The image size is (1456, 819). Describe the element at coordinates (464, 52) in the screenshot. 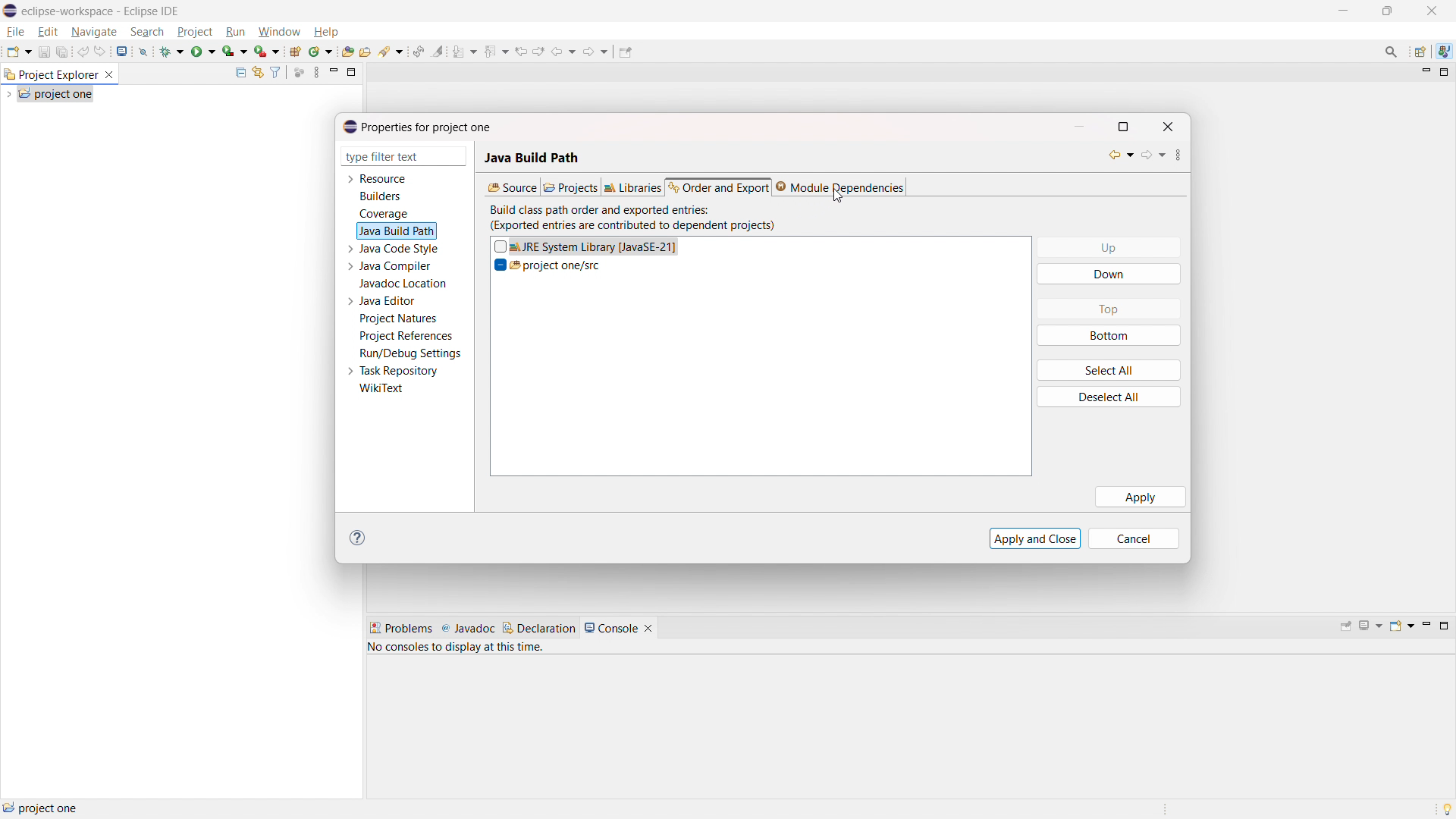

I see `next annotation` at that location.